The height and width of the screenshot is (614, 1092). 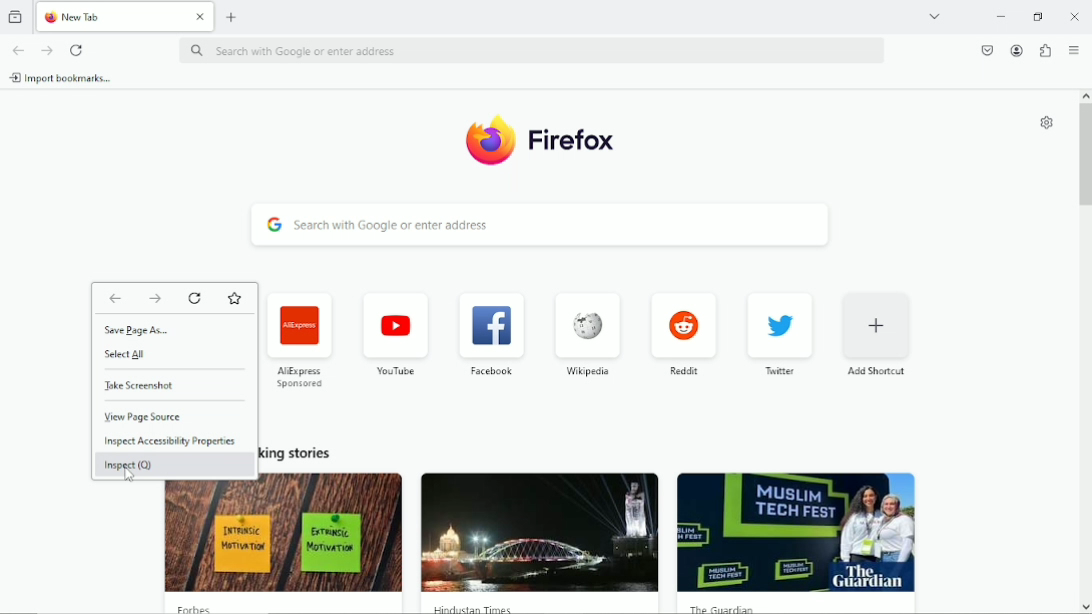 What do you see at coordinates (490, 332) in the screenshot?
I see `Facebook` at bounding box center [490, 332].